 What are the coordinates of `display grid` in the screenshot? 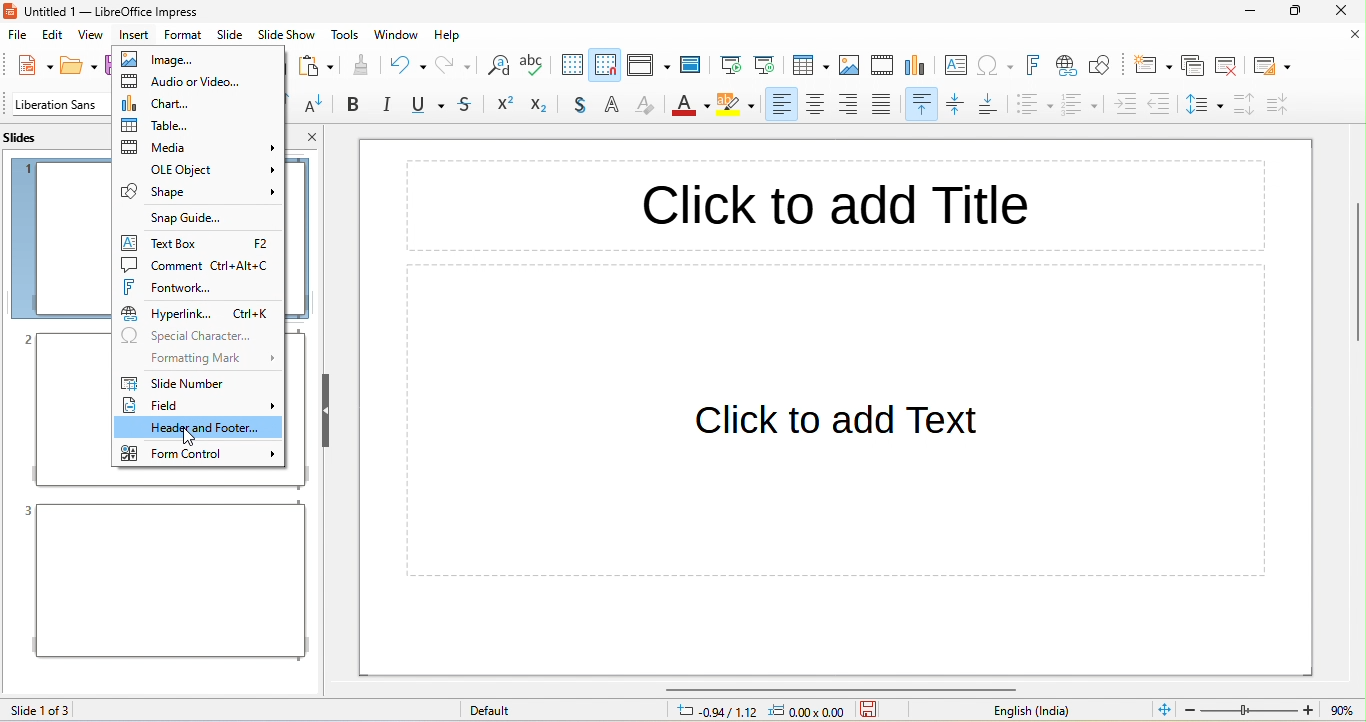 It's located at (570, 65).